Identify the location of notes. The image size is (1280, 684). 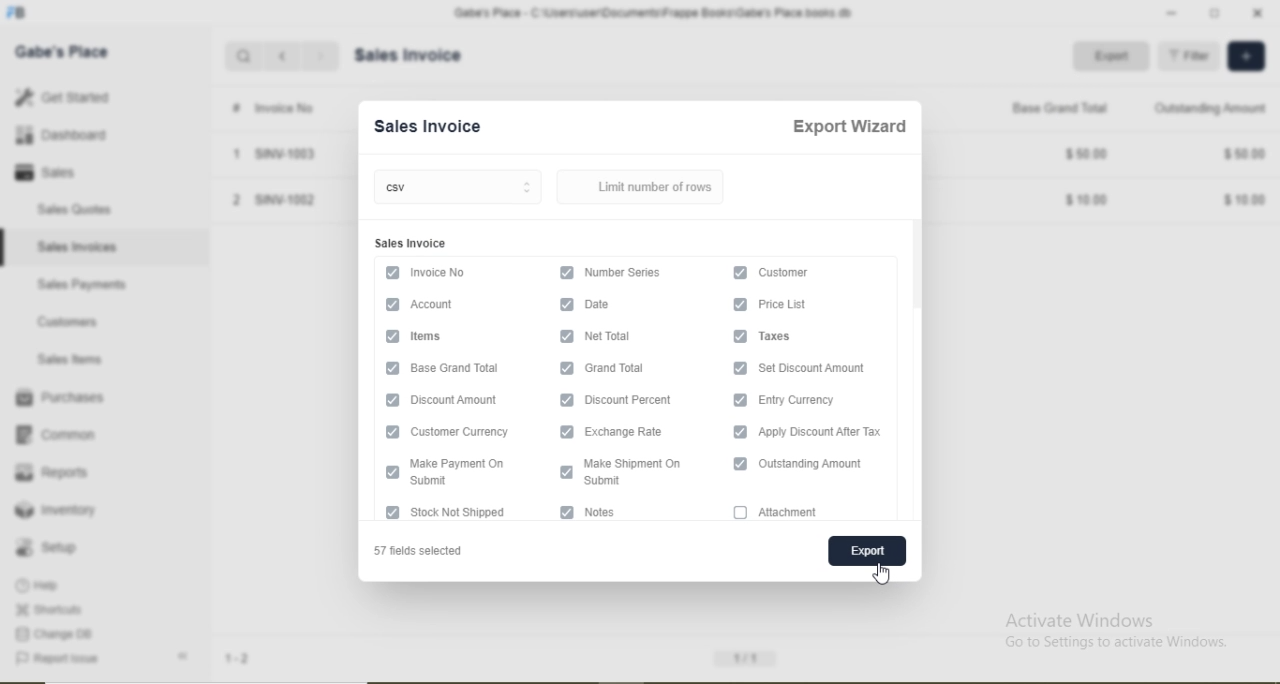
(612, 514).